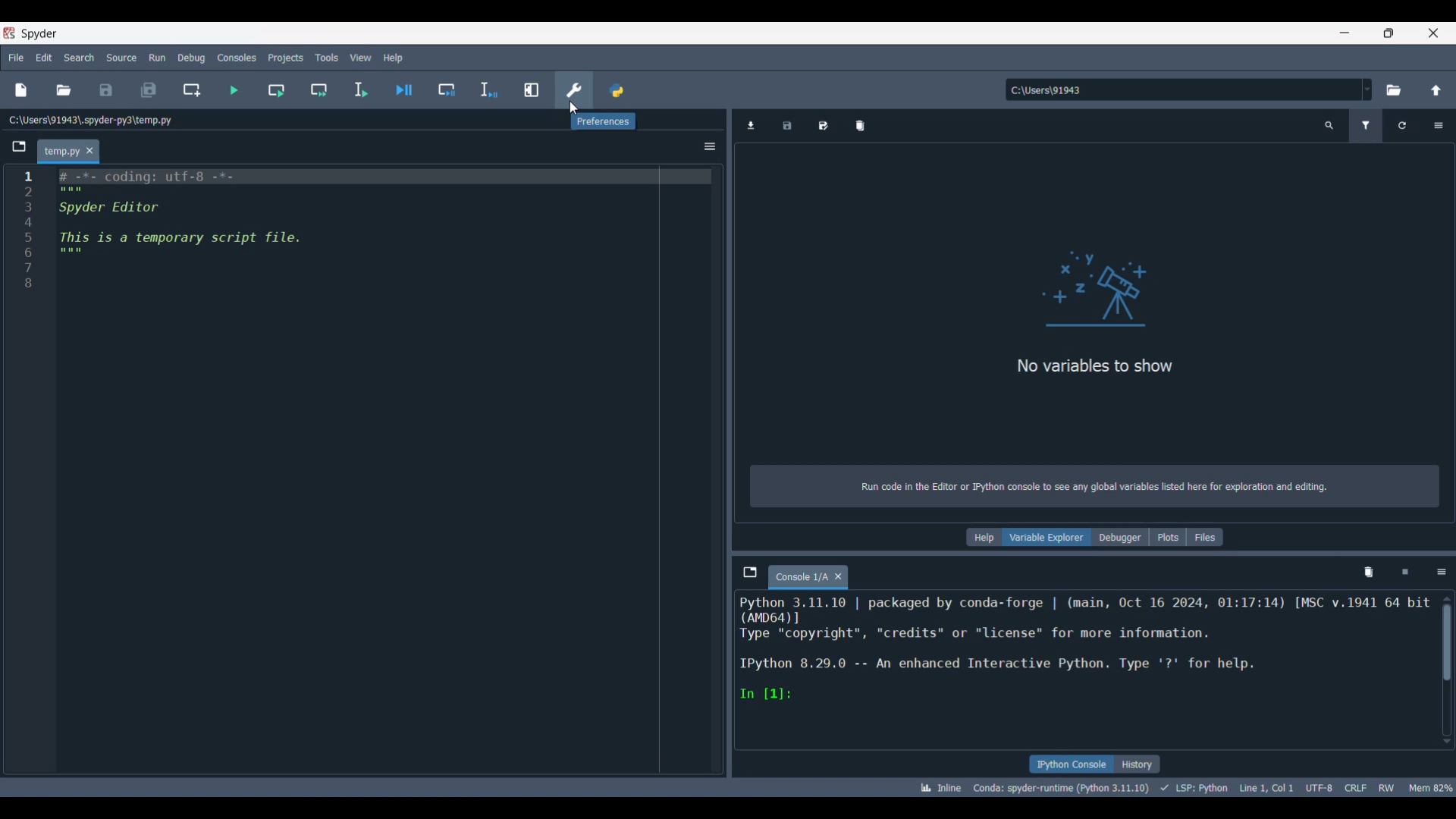  I want to click on File menu, so click(16, 58).